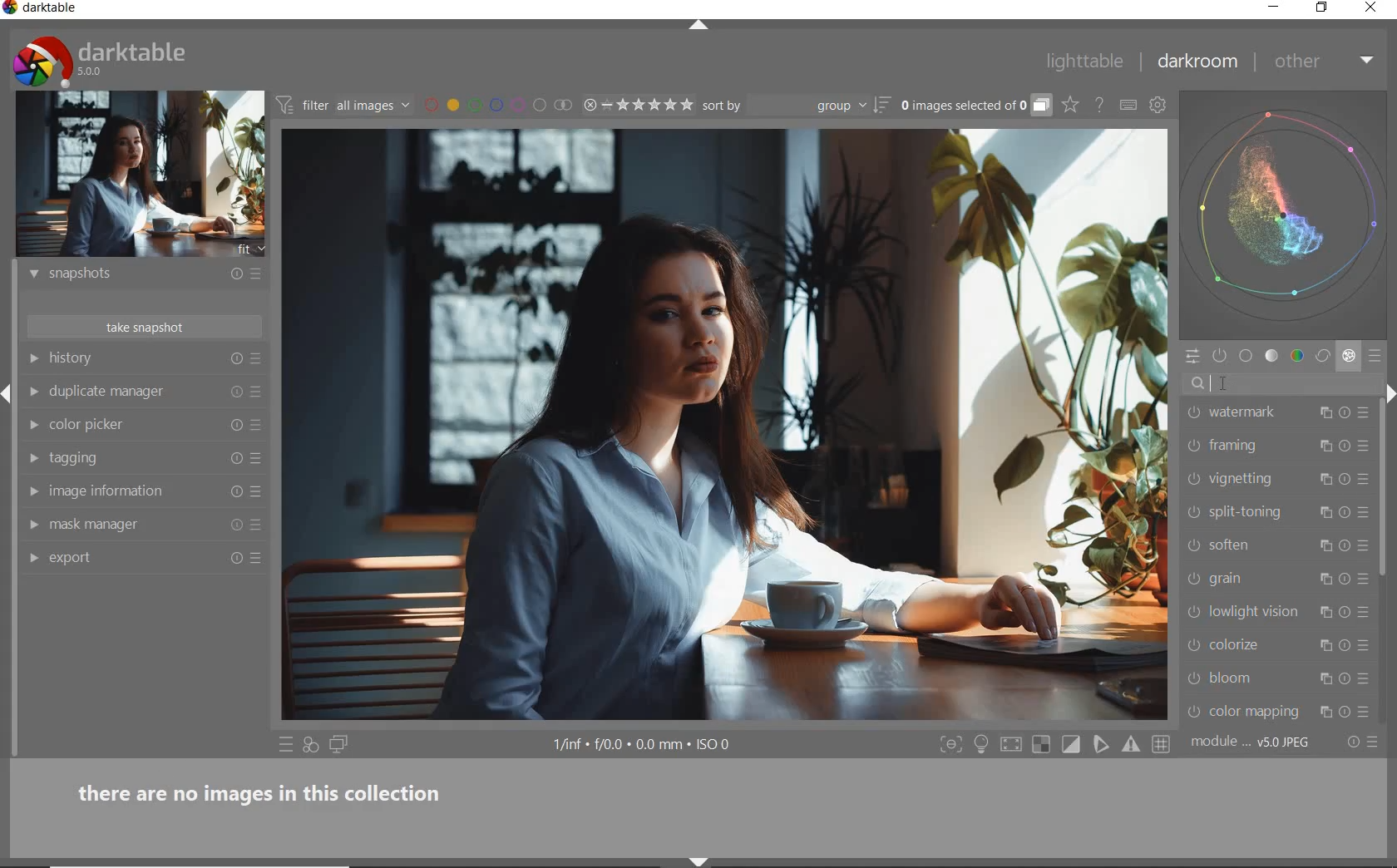  I want to click on multiple instance actions, so click(1328, 611).